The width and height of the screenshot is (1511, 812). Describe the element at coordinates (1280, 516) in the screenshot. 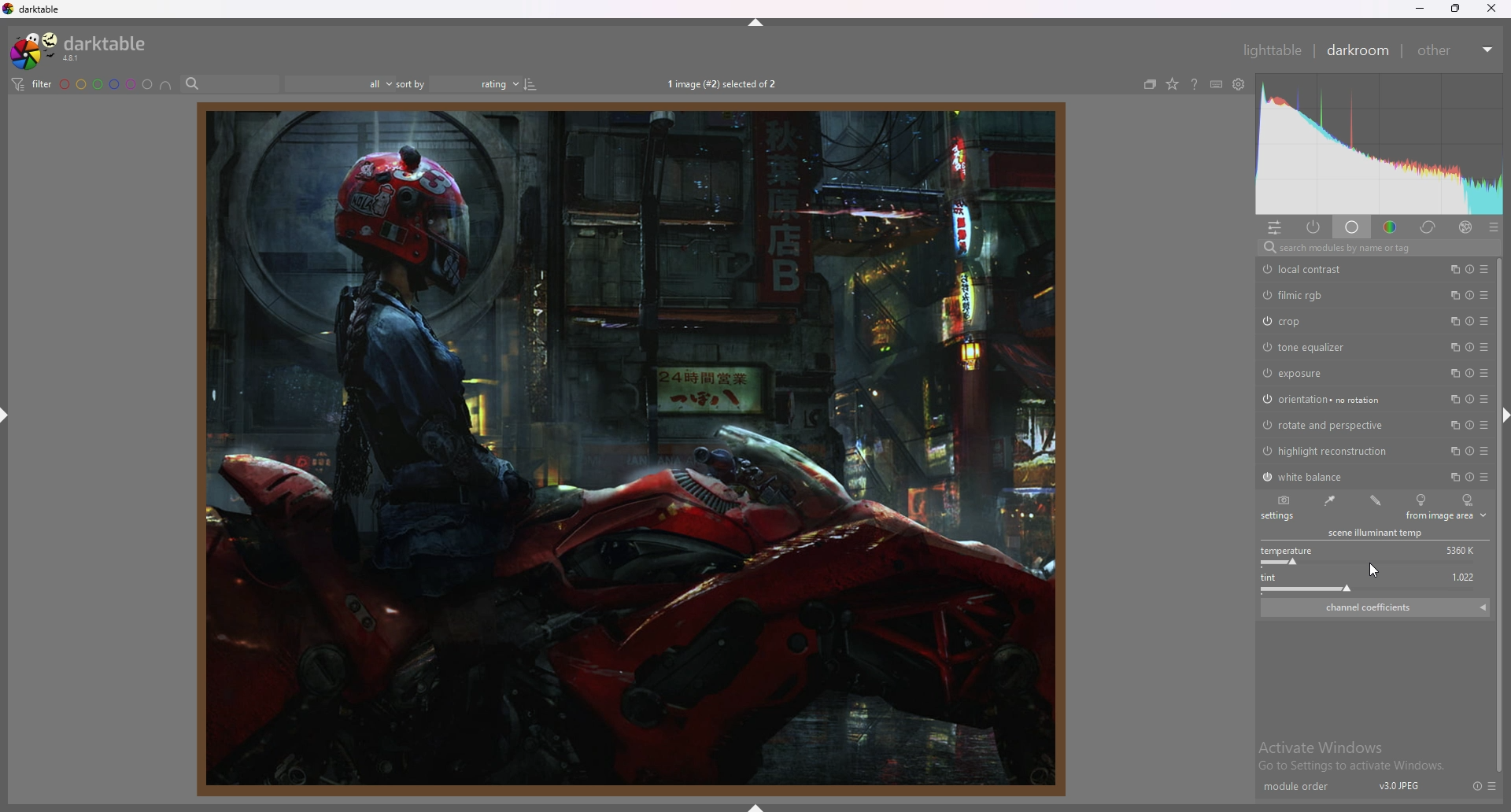

I see `settings` at that location.